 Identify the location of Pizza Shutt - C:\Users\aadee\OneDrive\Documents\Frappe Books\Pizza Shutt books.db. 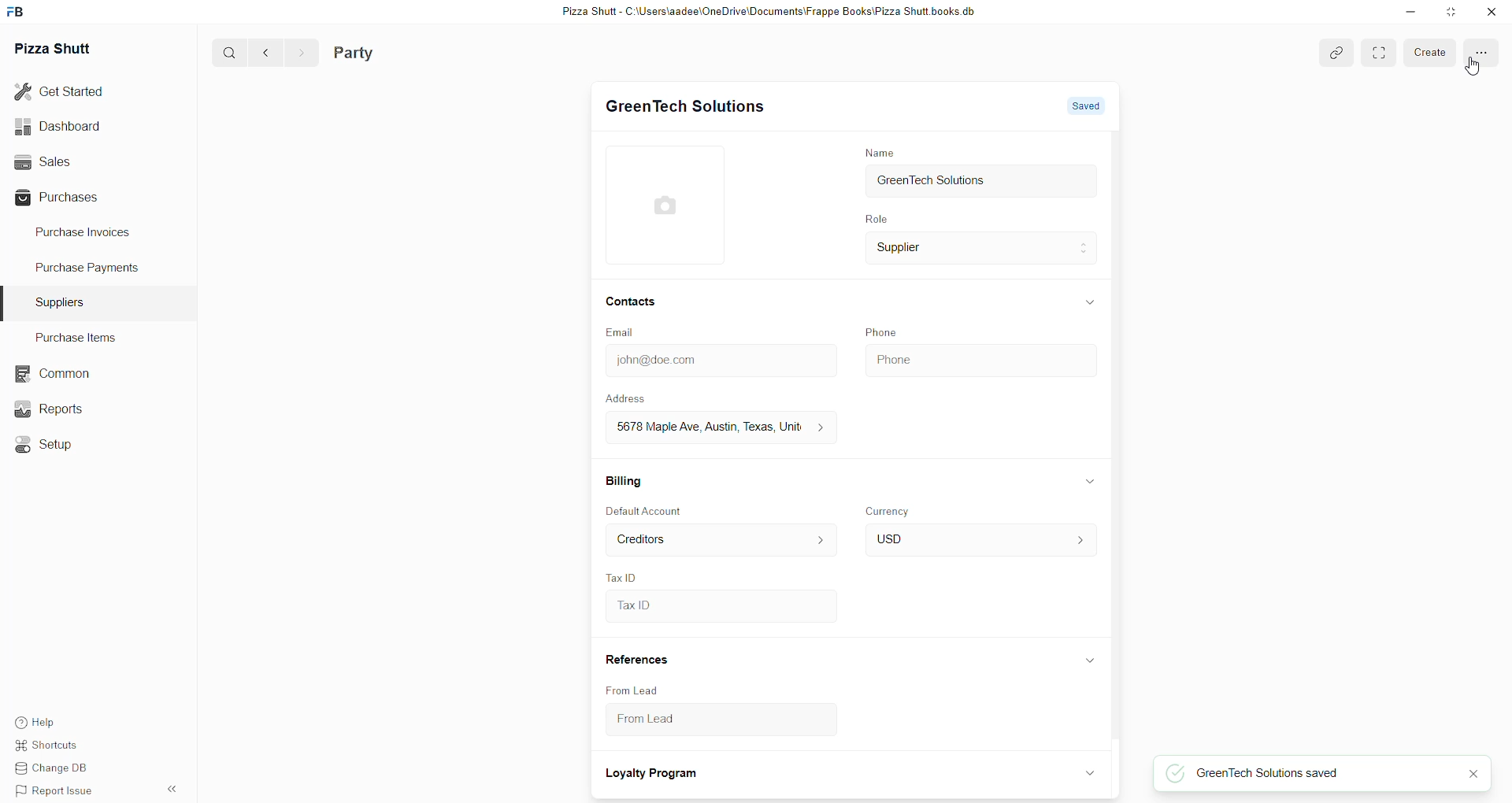
(766, 13).